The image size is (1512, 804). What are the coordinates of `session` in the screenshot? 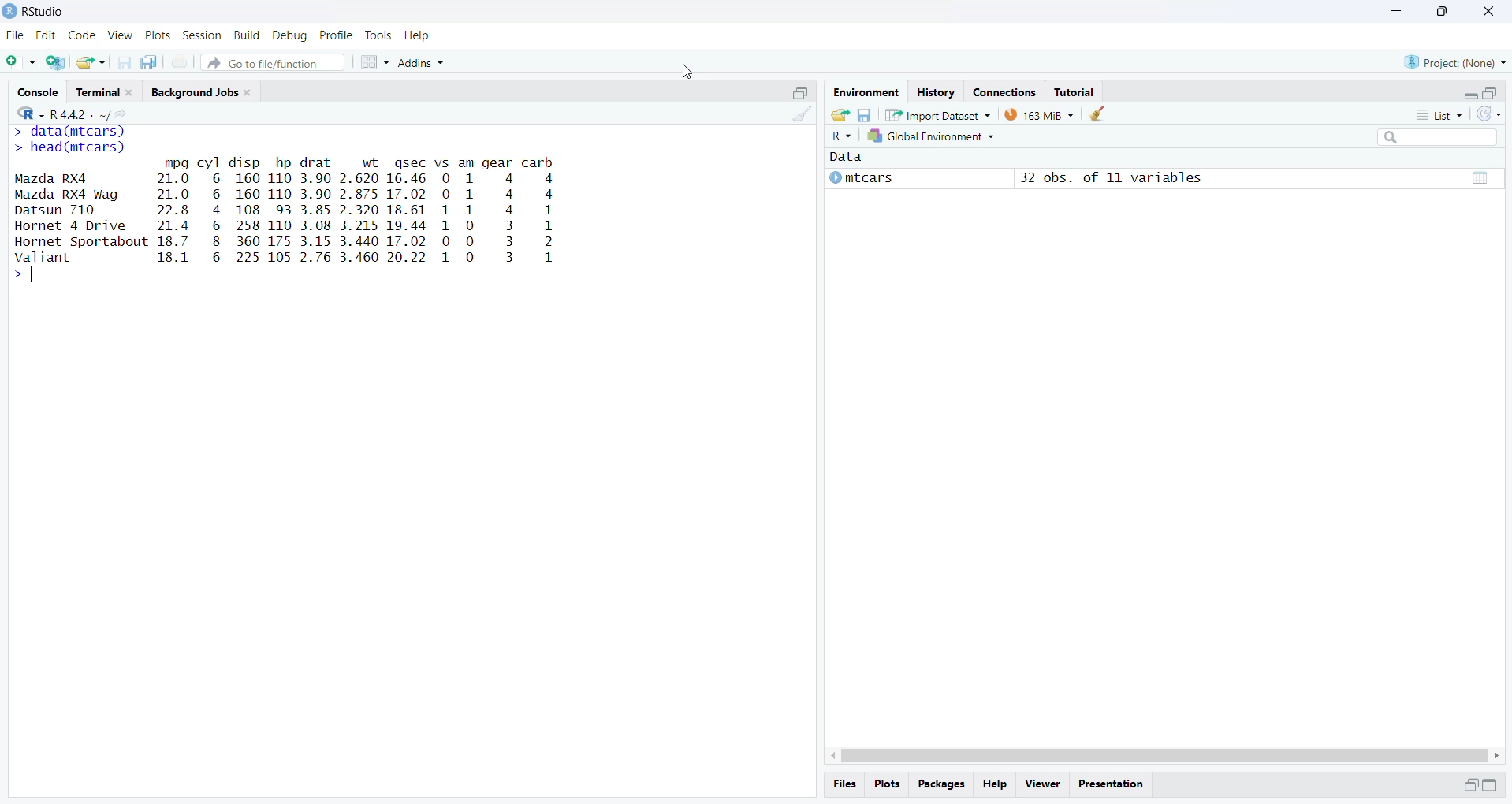 It's located at (202, 35).